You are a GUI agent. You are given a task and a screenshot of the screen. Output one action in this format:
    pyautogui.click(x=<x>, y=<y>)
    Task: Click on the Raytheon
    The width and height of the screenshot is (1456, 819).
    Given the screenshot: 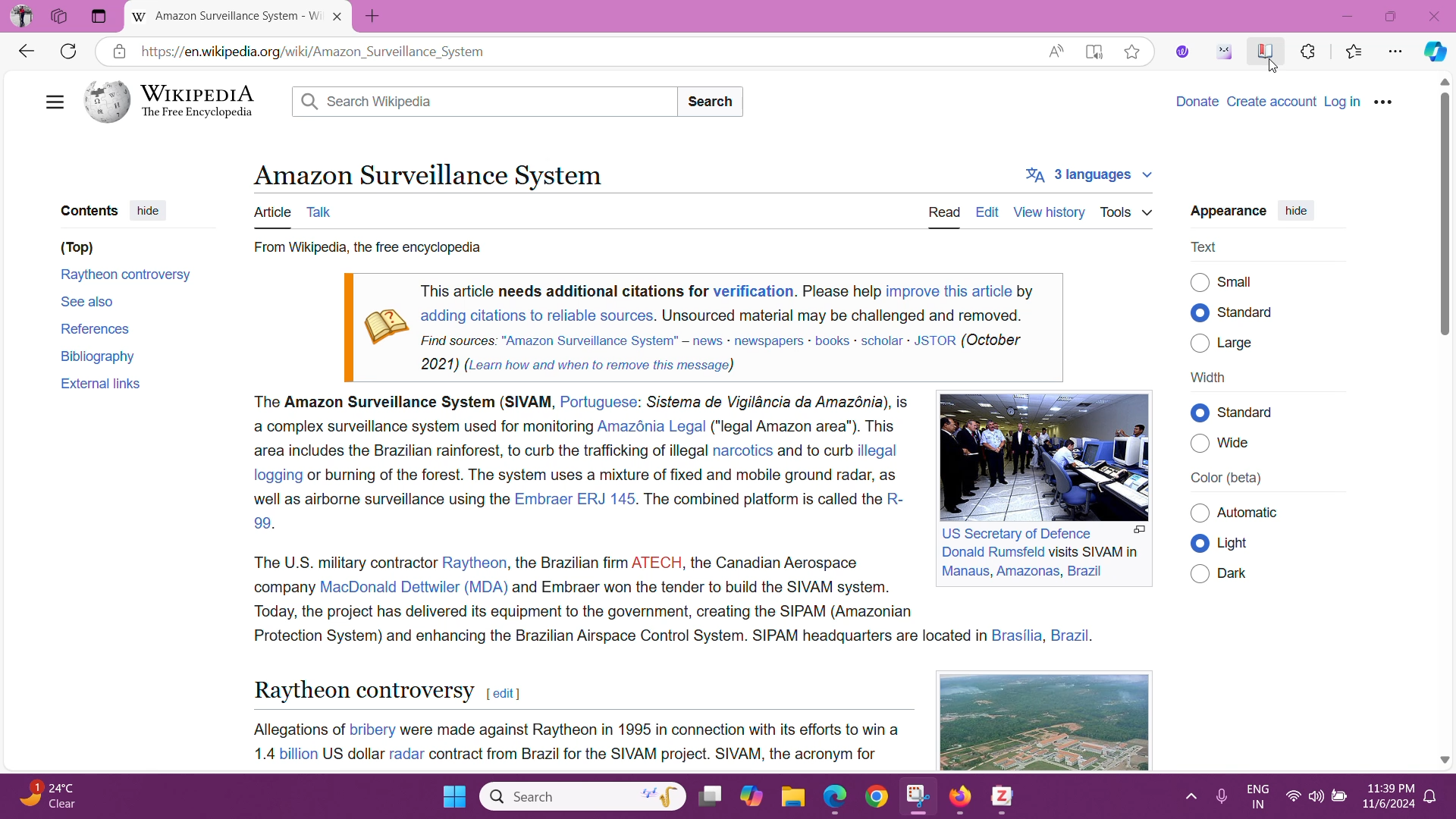 What is the action you would take?
    pyautogui.click(x=475, y=563)
    